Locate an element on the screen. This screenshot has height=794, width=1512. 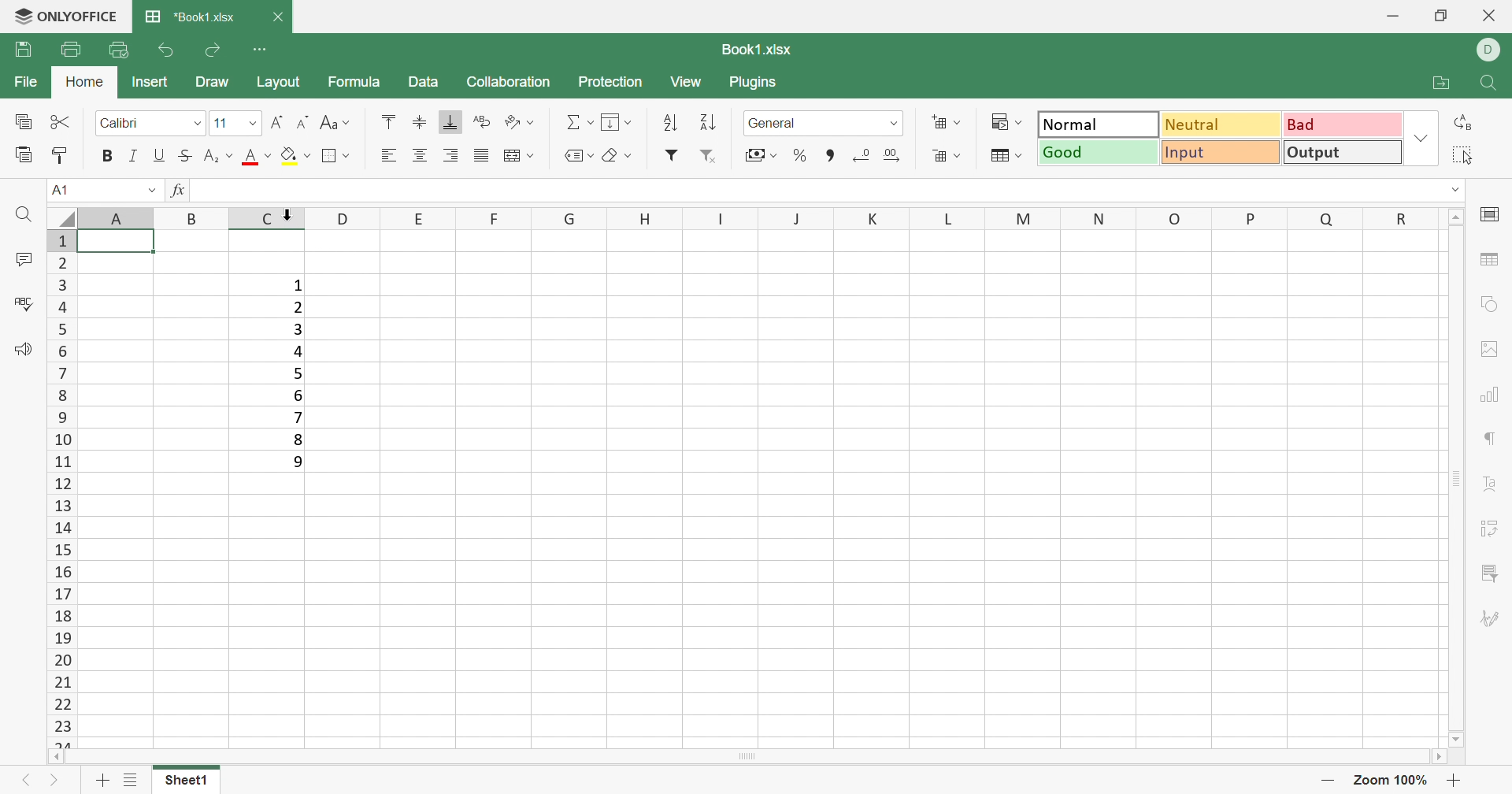
Row numbers is located at coordinates (60, 489).